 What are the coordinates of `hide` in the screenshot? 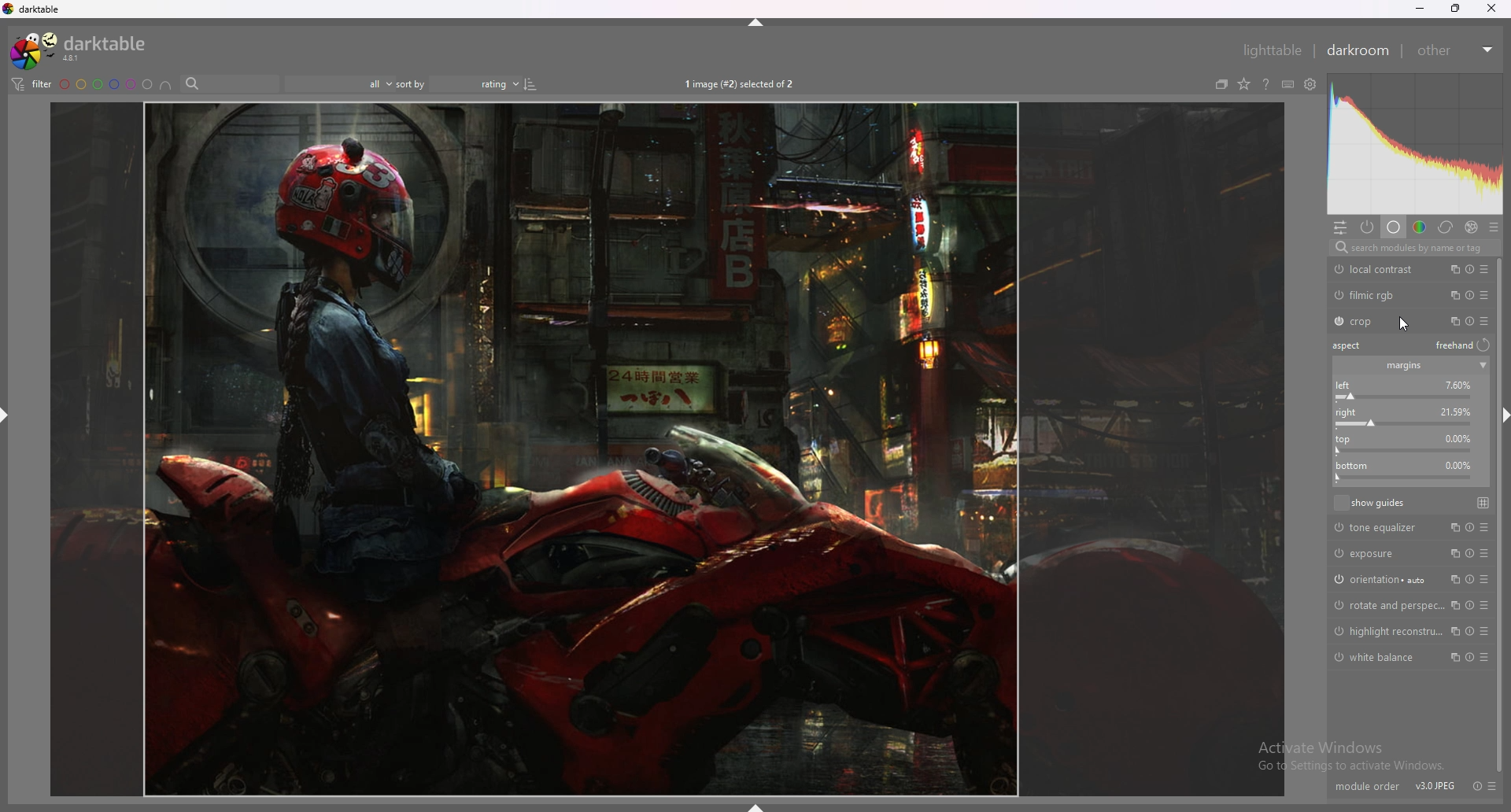 It's located at (755, 806).